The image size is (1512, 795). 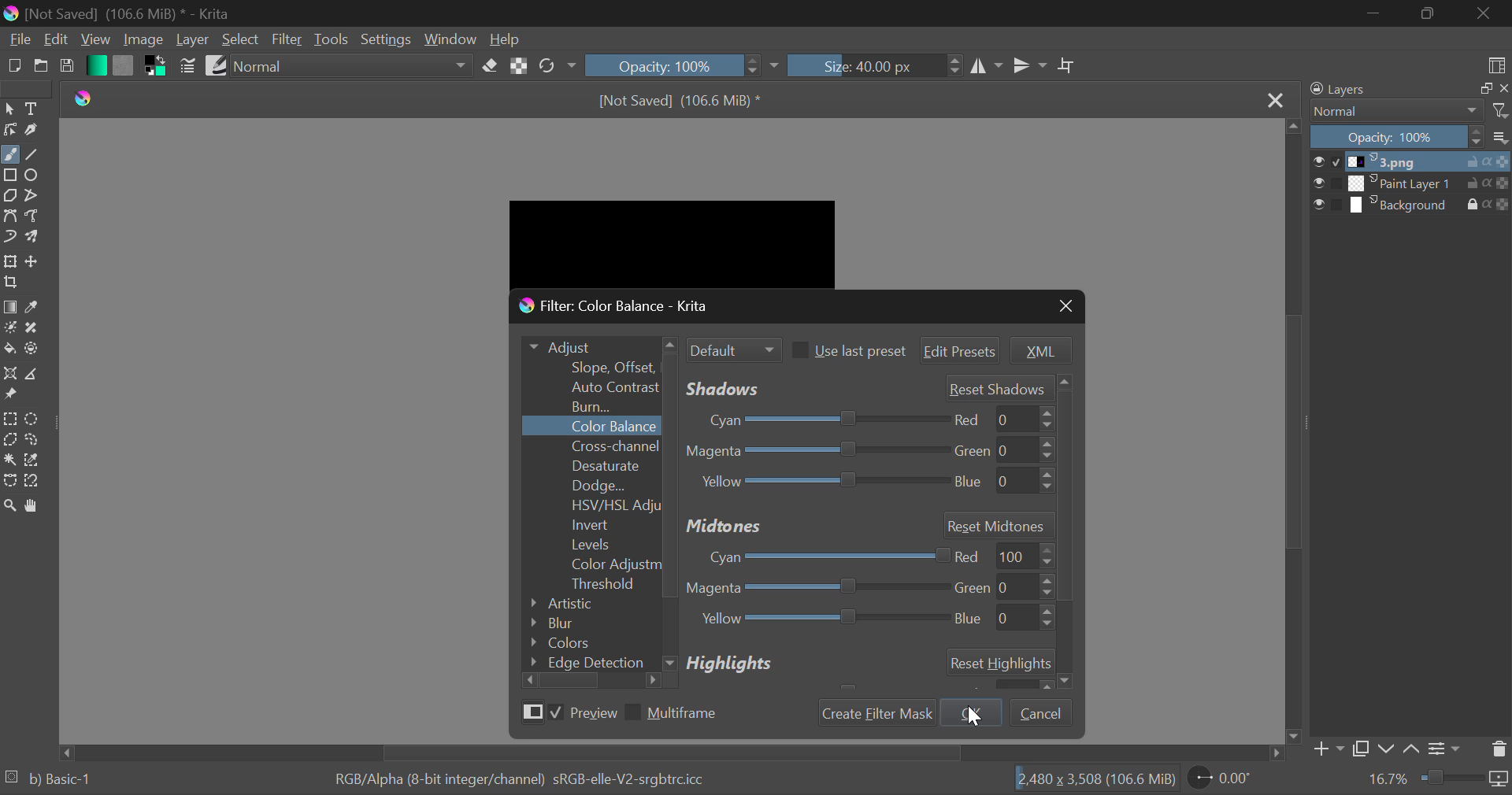 I want to click on Color Adjustment, so click(x=592, y=564).